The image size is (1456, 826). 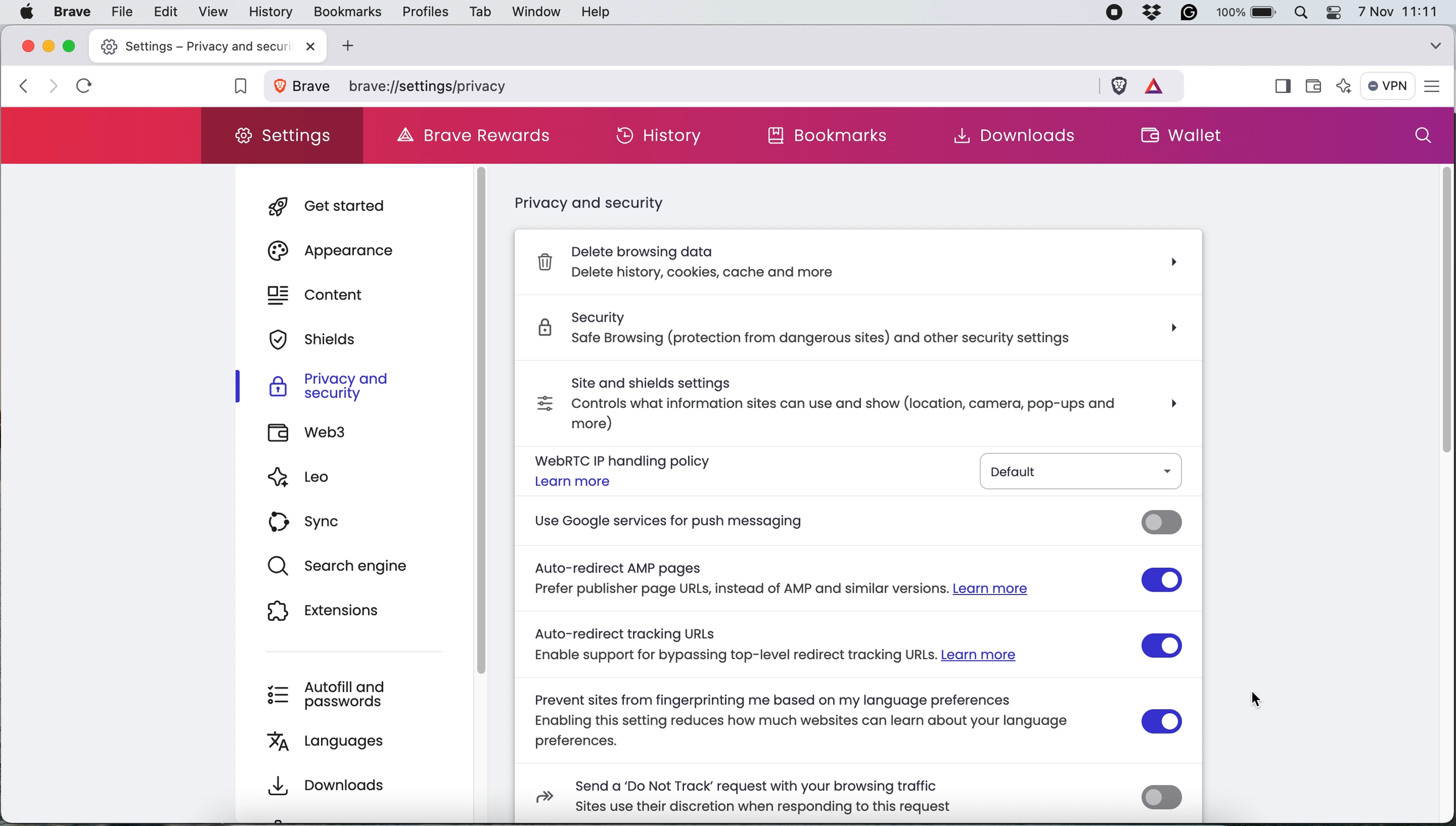 I want to click on brave shields, so click(x=1119, y=85).